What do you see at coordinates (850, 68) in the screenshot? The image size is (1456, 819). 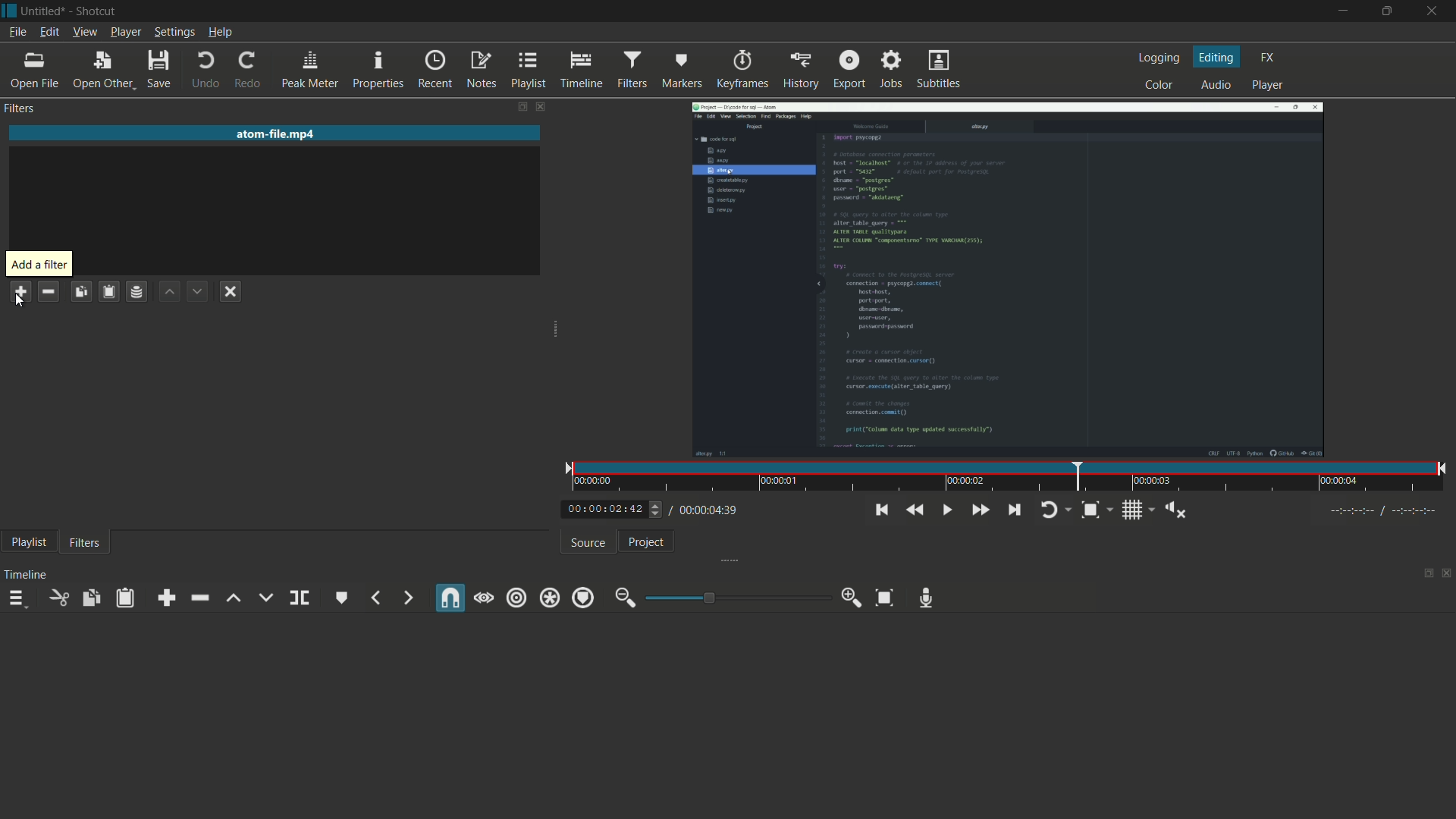 I see `export` at bounding box center [850, 68].